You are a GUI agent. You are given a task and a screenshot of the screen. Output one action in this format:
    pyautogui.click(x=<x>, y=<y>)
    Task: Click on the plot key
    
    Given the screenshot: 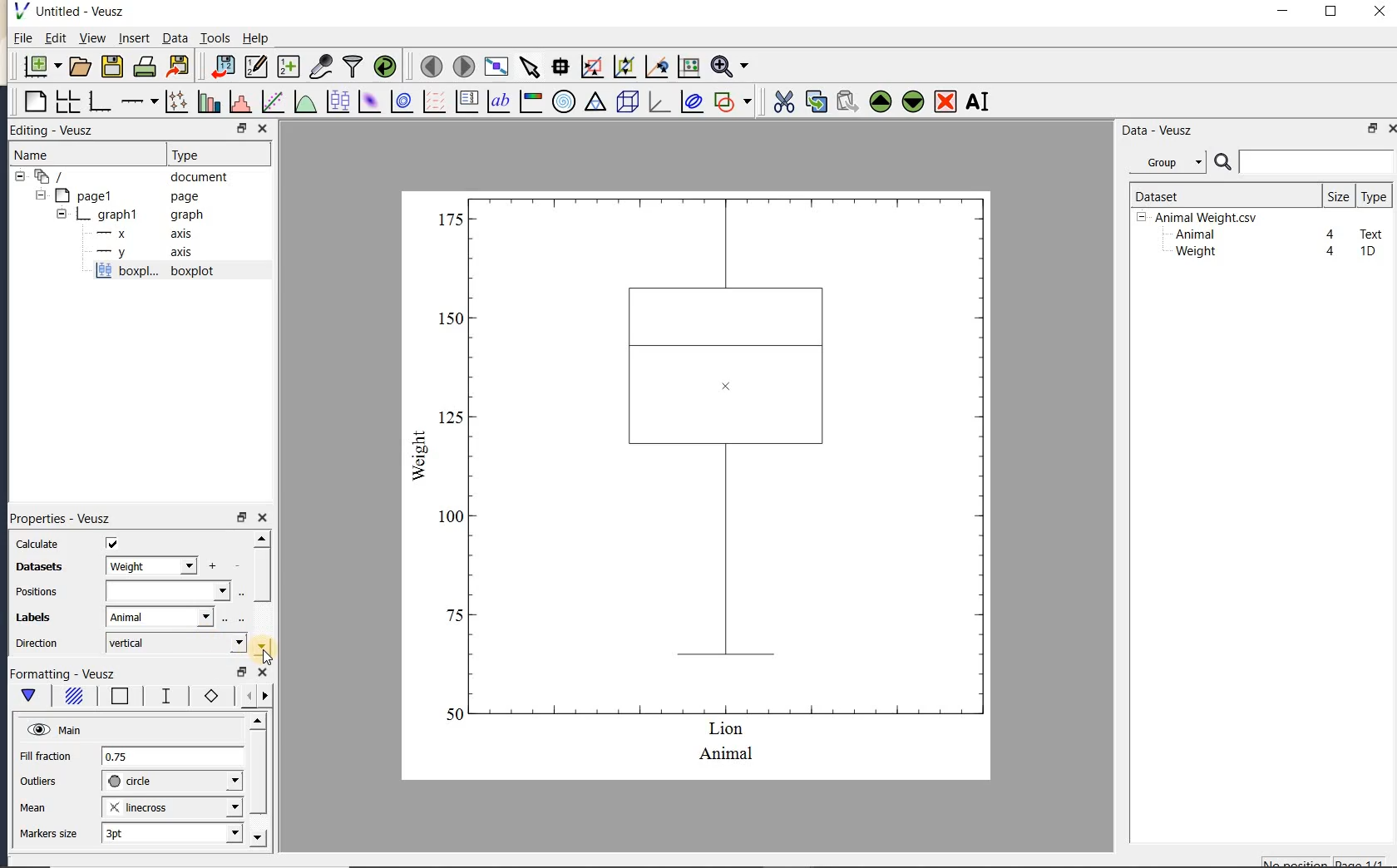 What is the action you would take?
    pyautogui.click(x=465, y=101)
    